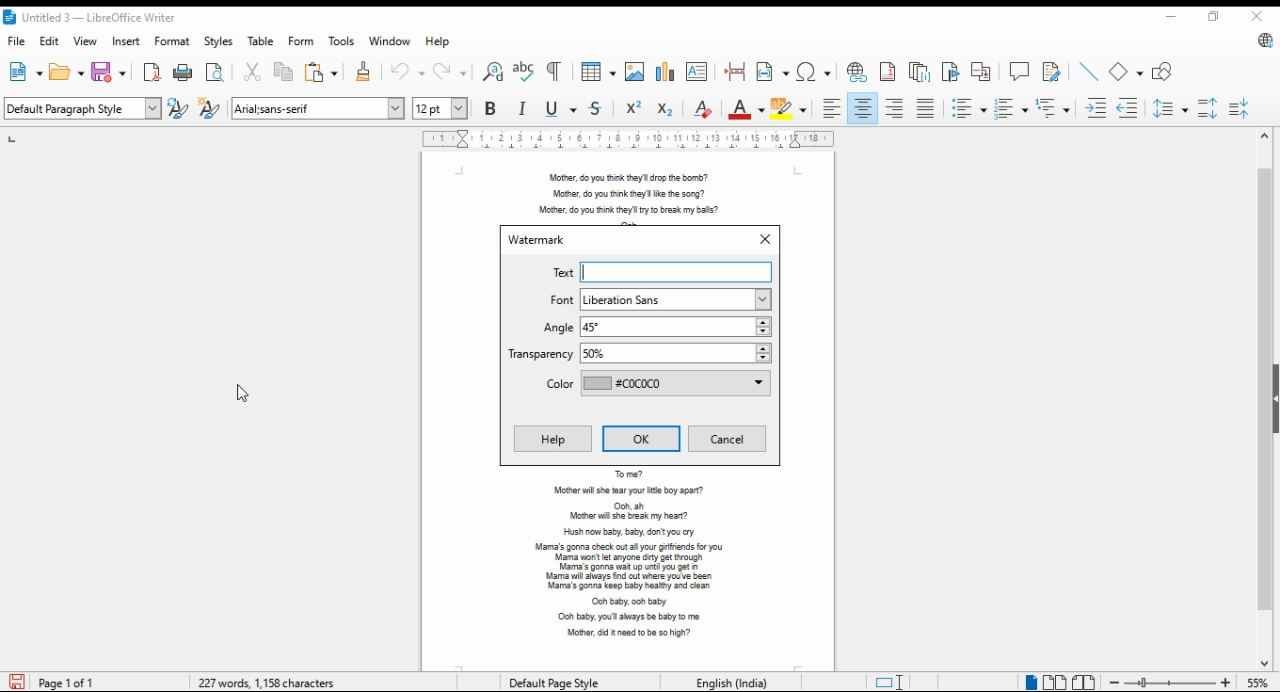 The image size is (1280, 692). What do you see at coordinates (84, 108) in the screenshot?
I see `select paragraph style` at bounding box center [84, 108].